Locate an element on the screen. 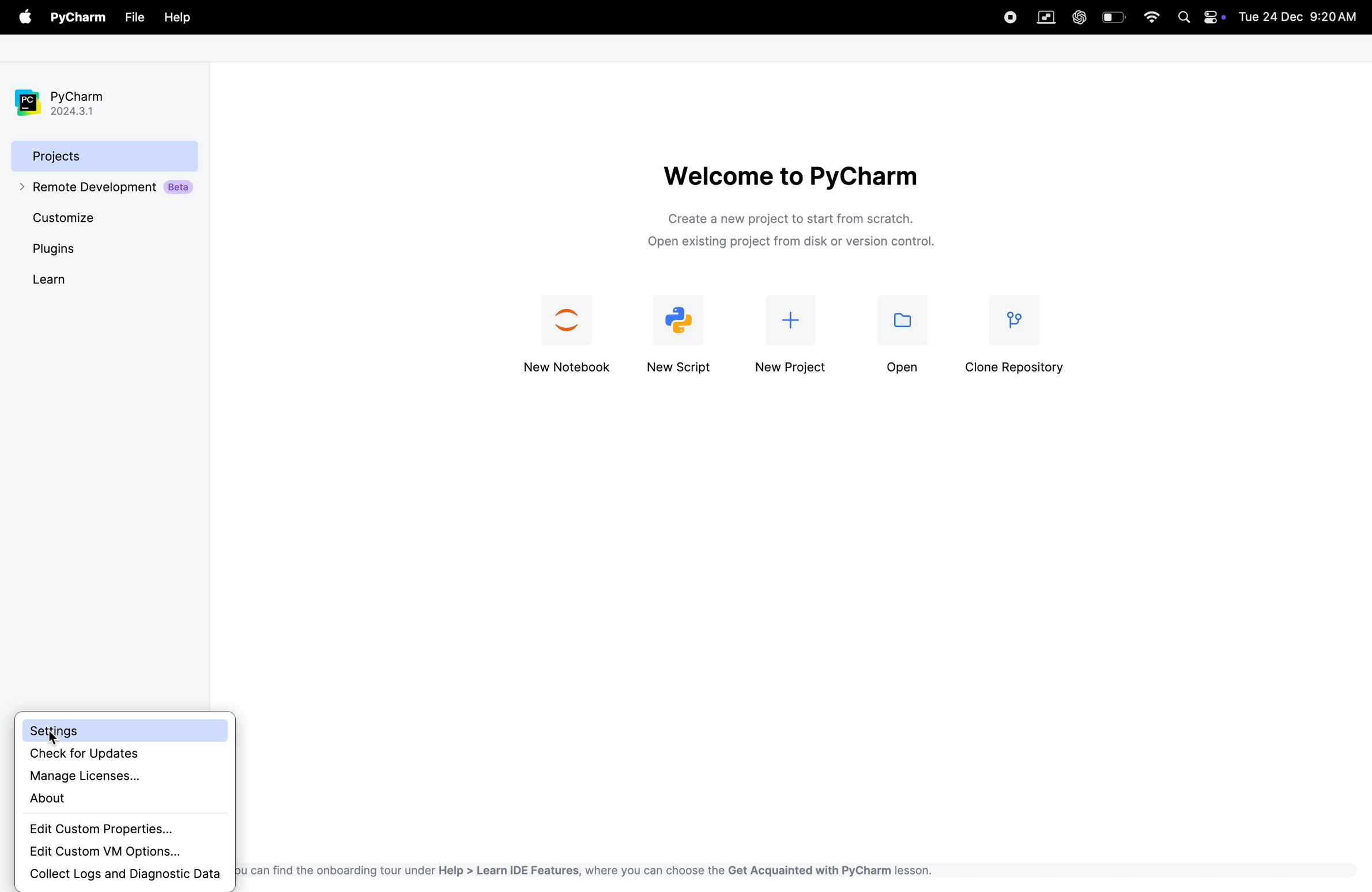 The image size is (1372, 892). pycharm version is located at coordinates (70, 103).